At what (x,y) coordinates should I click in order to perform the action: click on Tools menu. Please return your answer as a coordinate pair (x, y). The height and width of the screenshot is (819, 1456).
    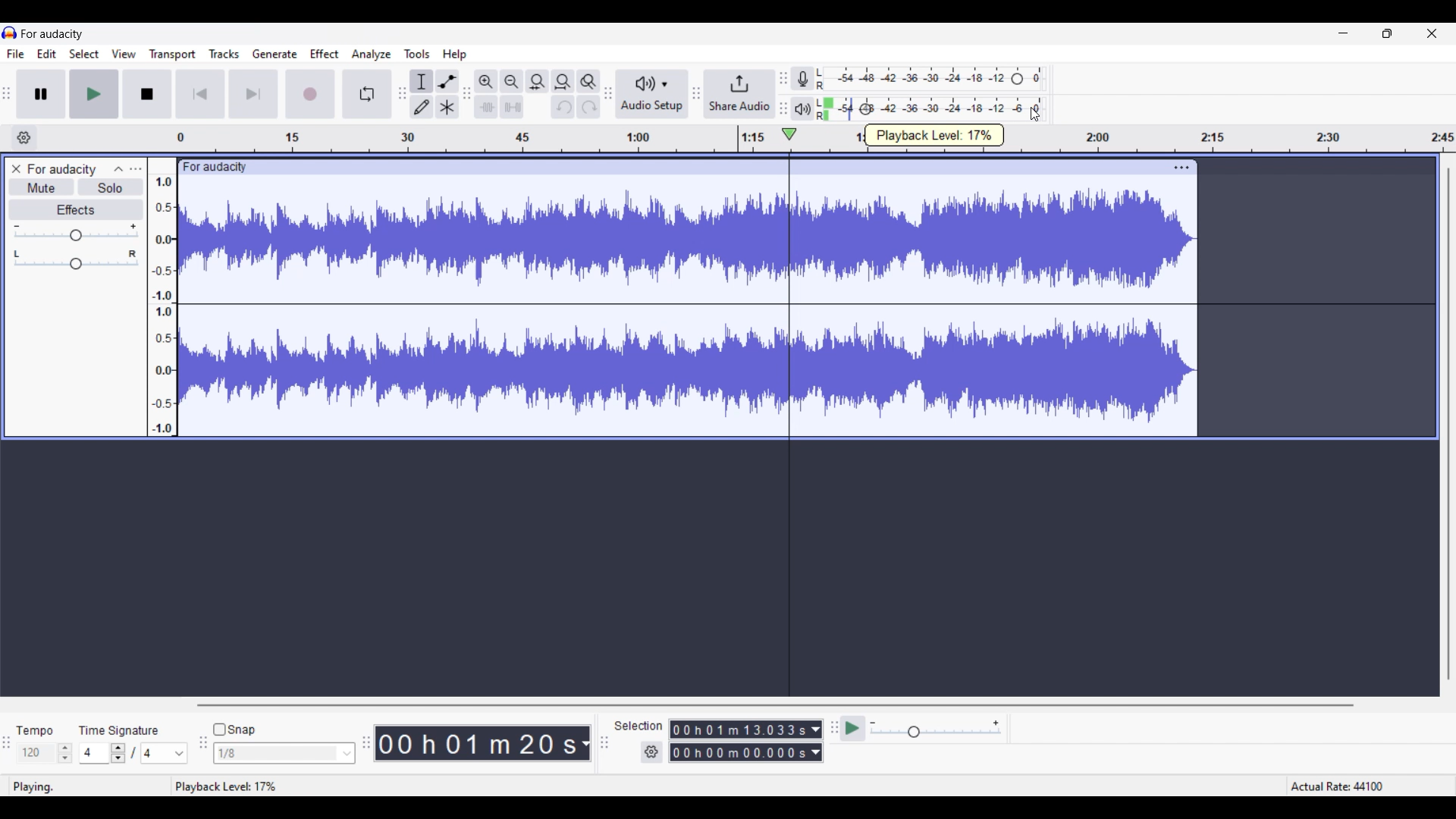
    Looking at the image, I should click on (417, 54).